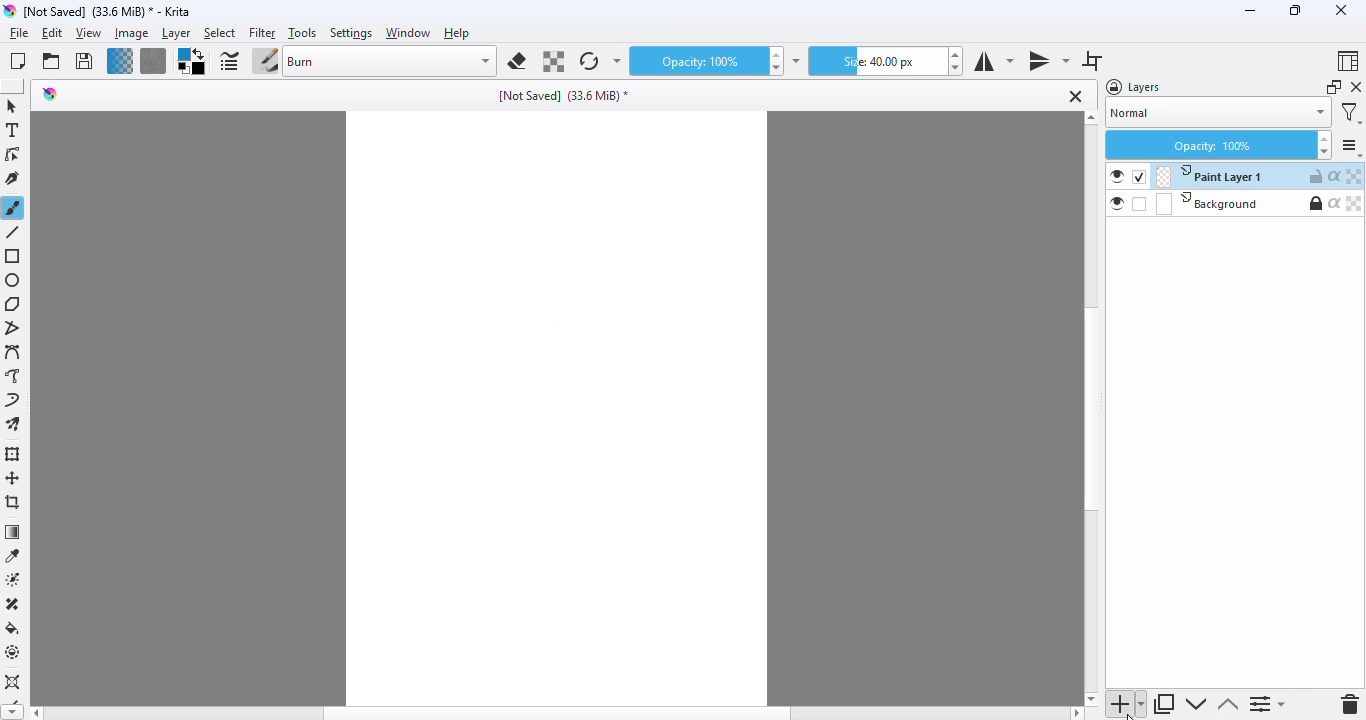 The image size is (1366, 720). I want to click on open an existing document, so click(51, 61).